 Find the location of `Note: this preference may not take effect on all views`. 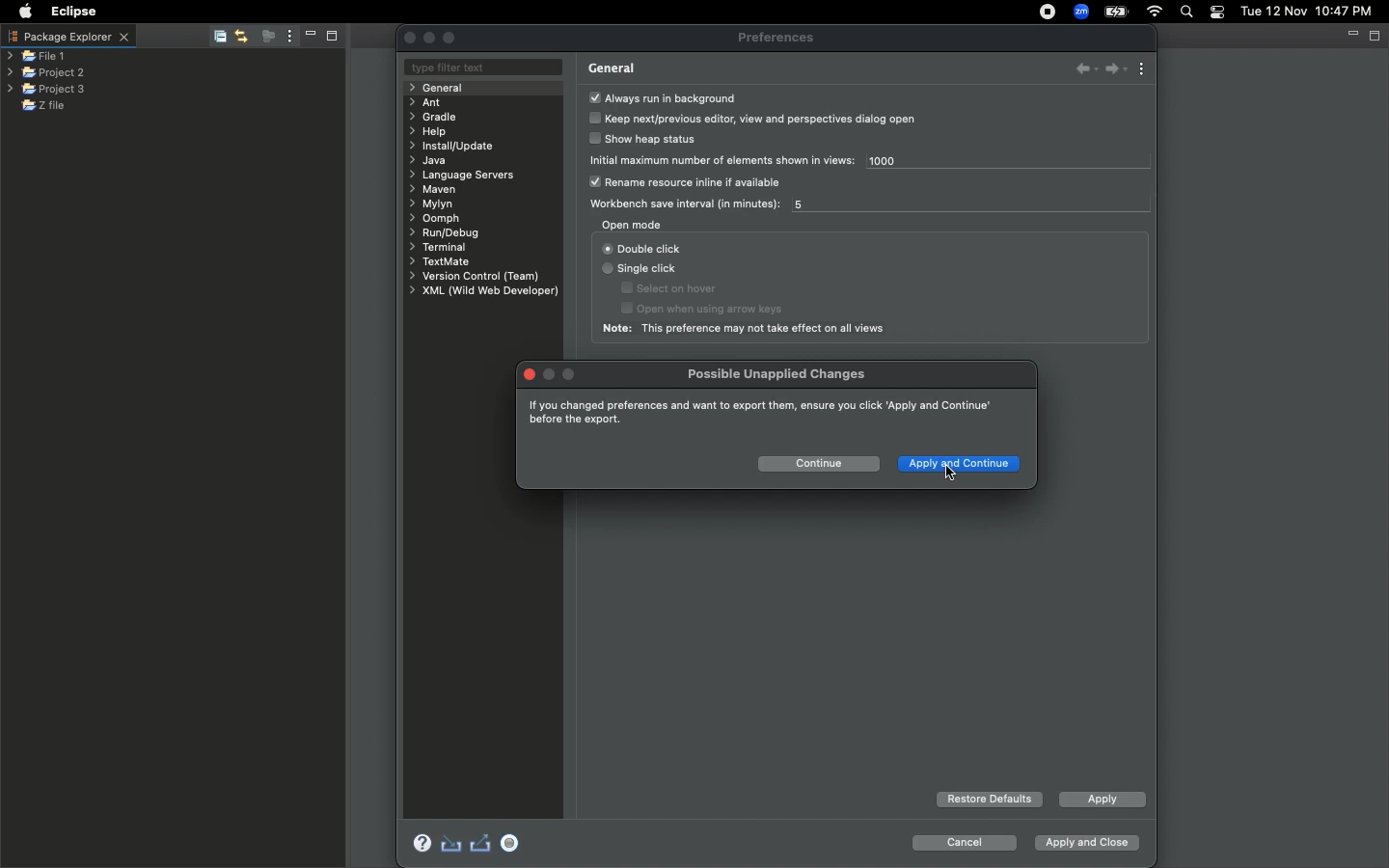

Note: this preference may not take effect on all views is located at coordinates (749, 330).